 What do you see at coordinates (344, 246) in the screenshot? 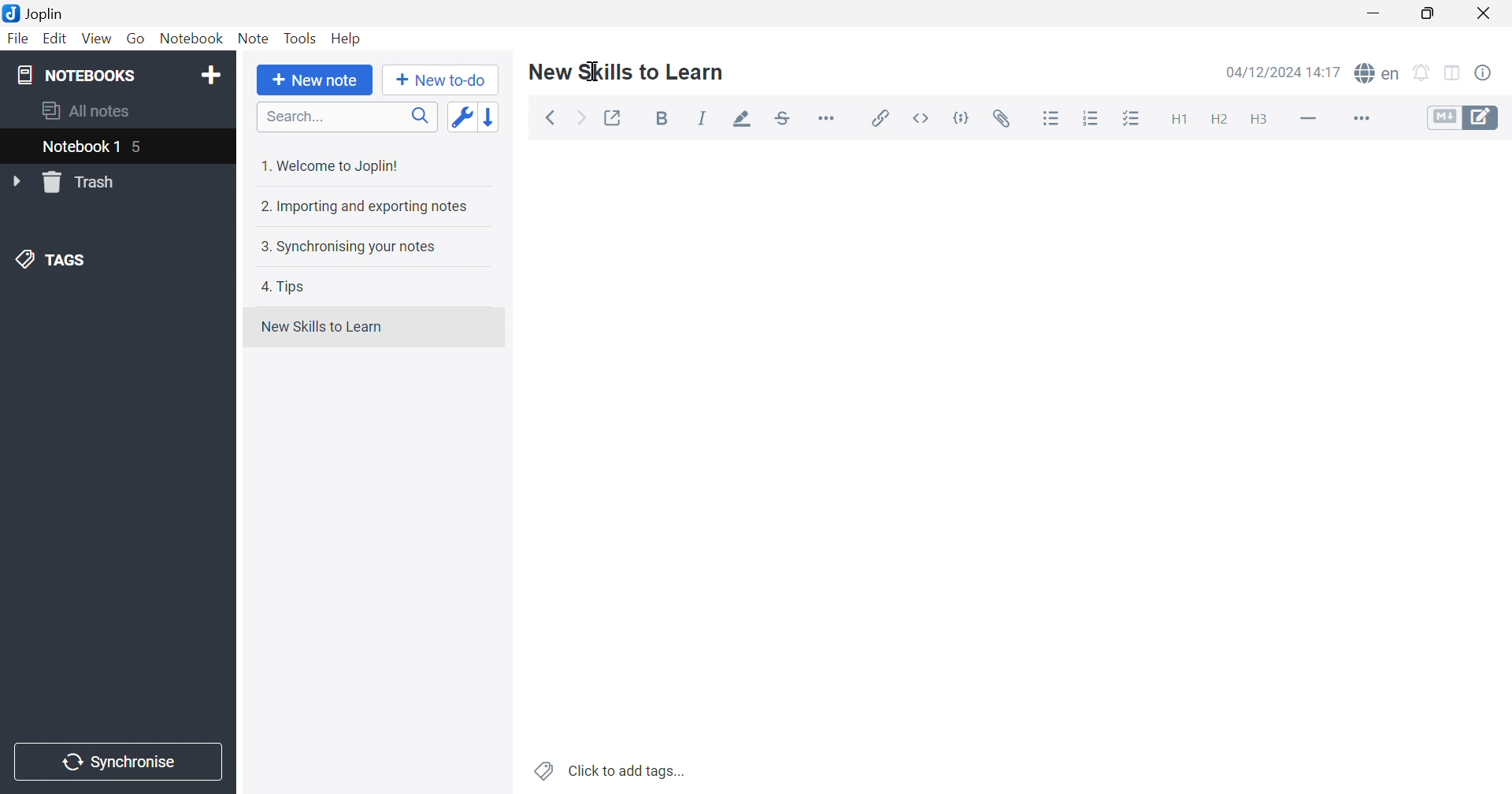
I see `3. Synchronising your notes` at bounding box center [344, 246].